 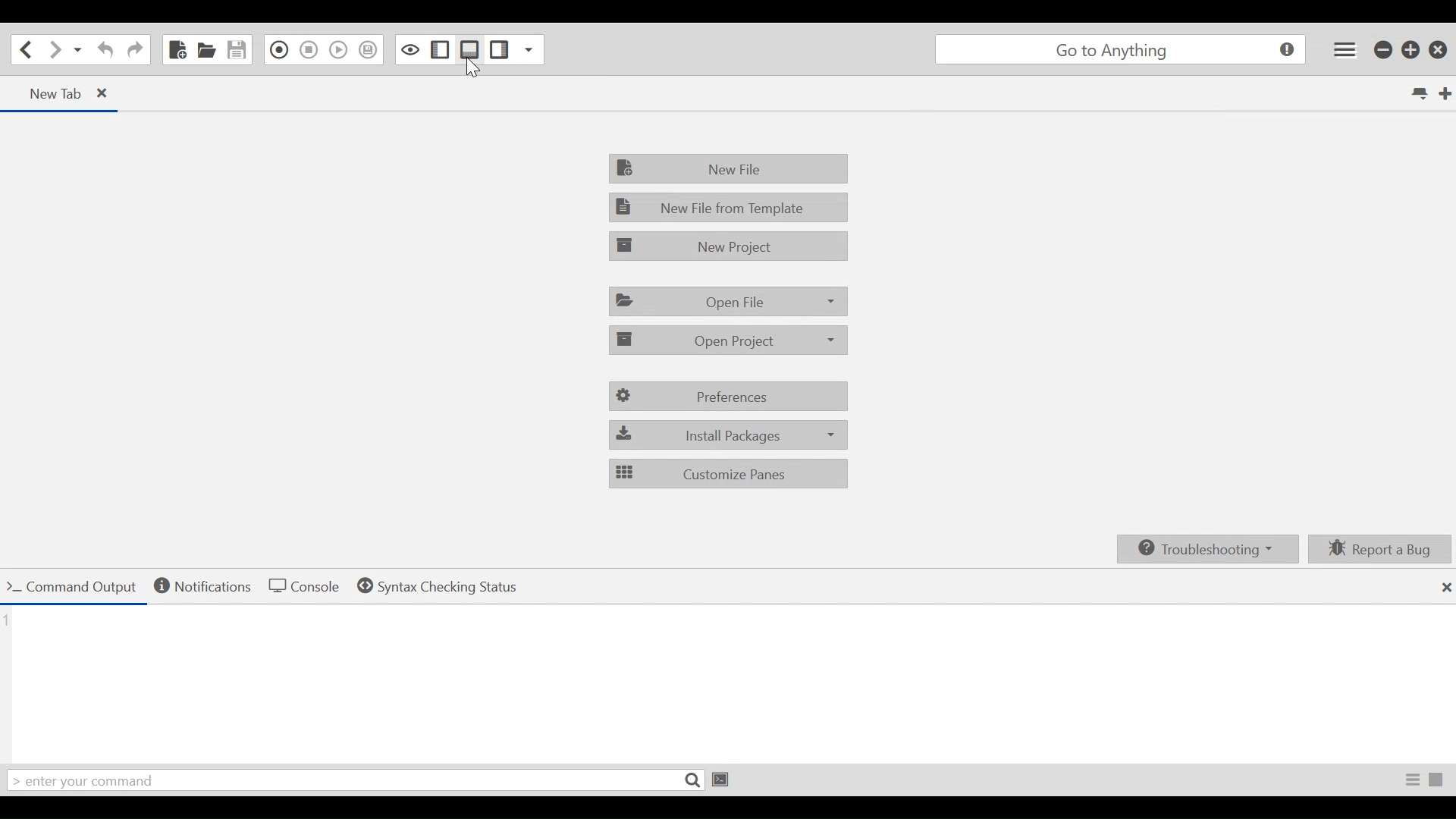 I want to click on Go back one location, so click(x=26, y=48).